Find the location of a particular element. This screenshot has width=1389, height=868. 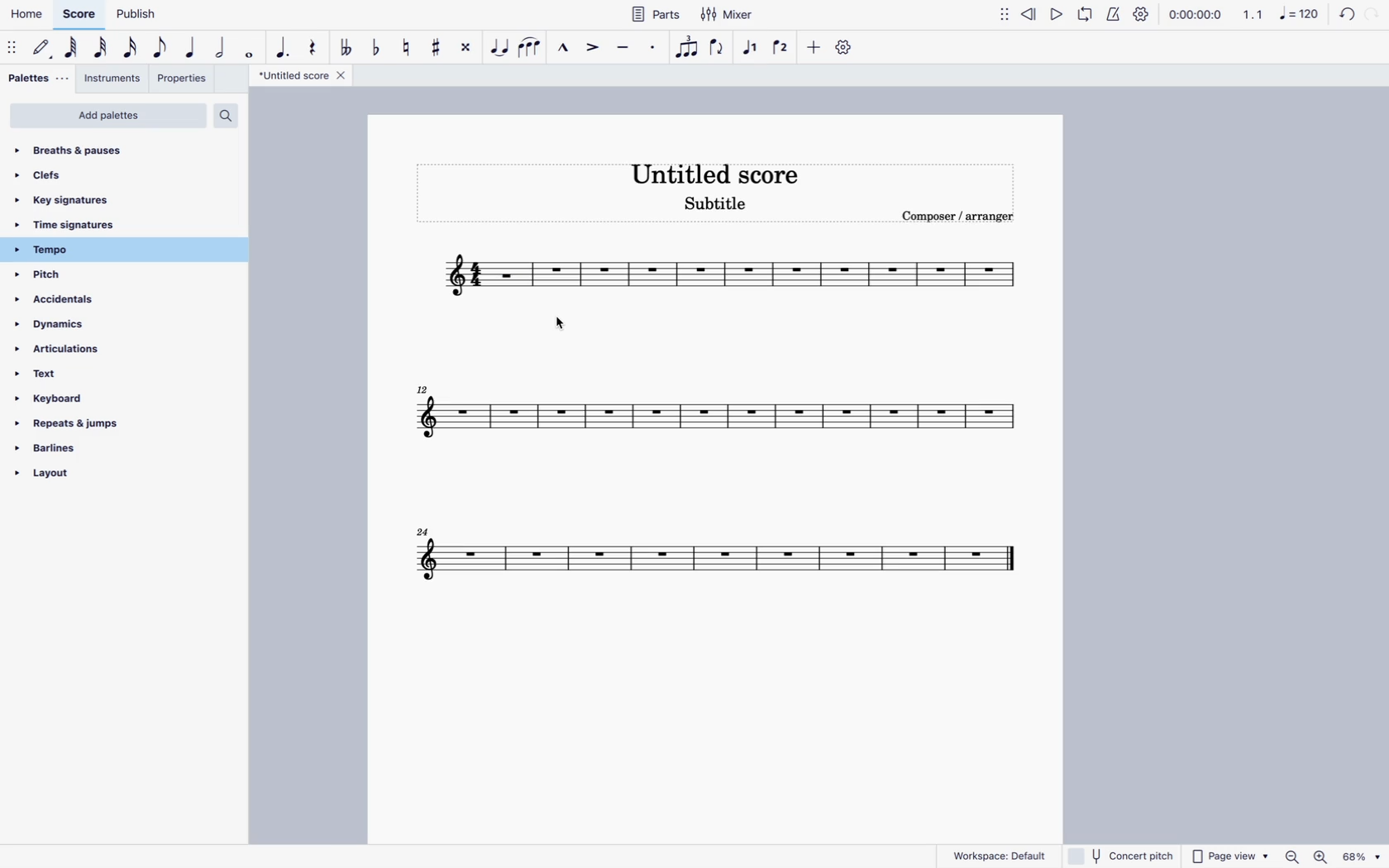

voice 2 is located at coordinates (782, 47).